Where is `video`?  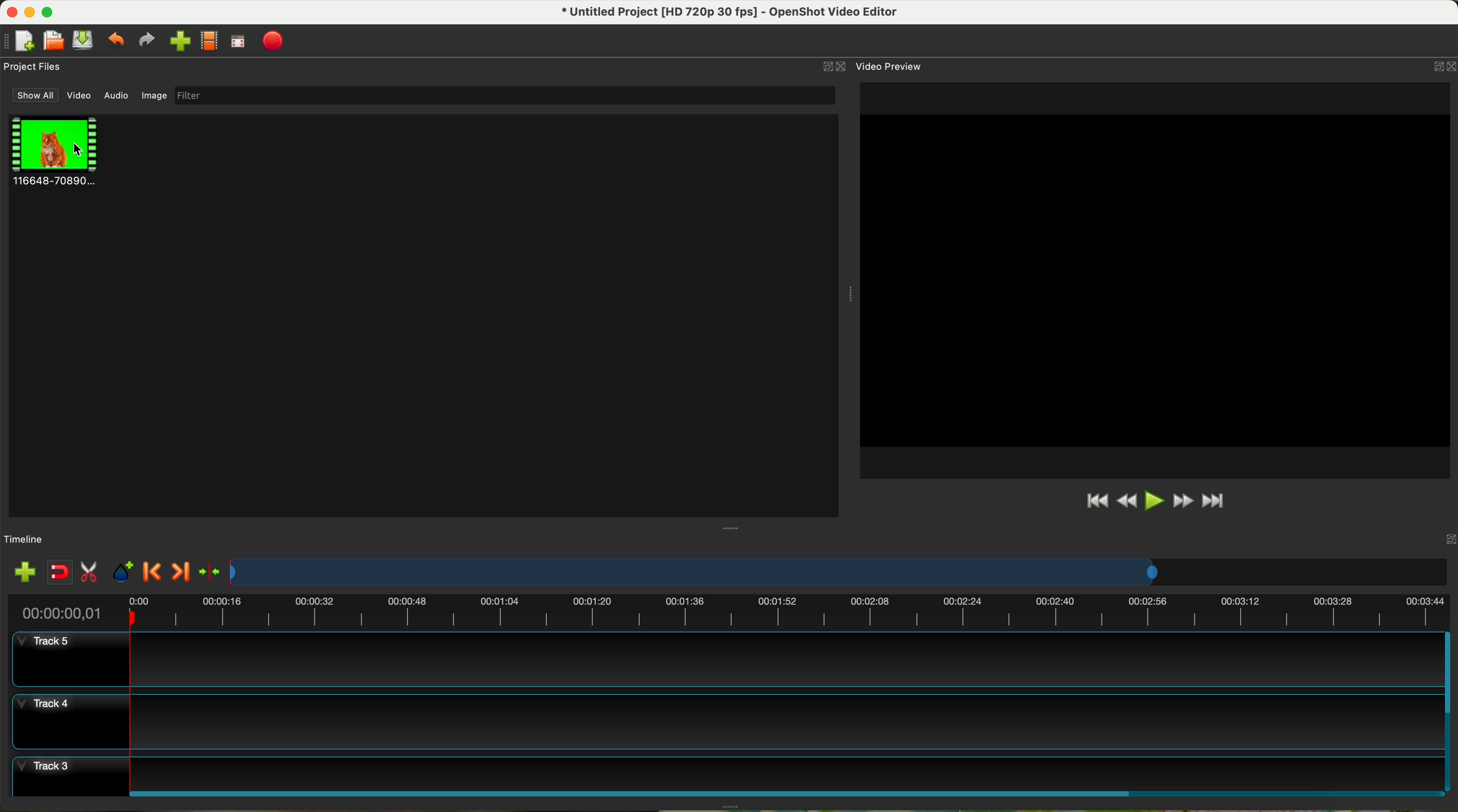
video is located at coordinates (80, 96).